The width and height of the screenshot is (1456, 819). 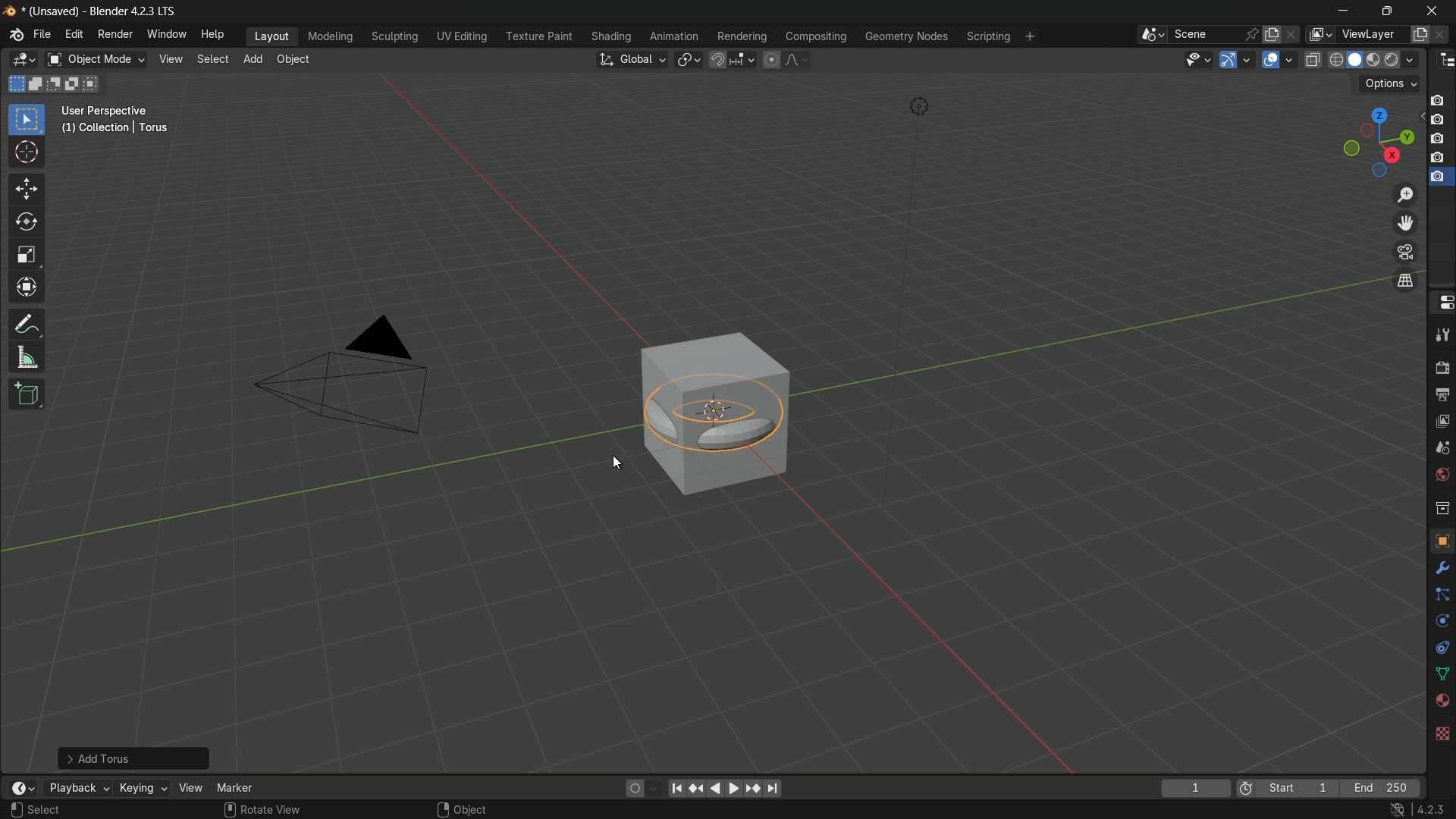 I want to click on 1, so click(x=1195, y=789).